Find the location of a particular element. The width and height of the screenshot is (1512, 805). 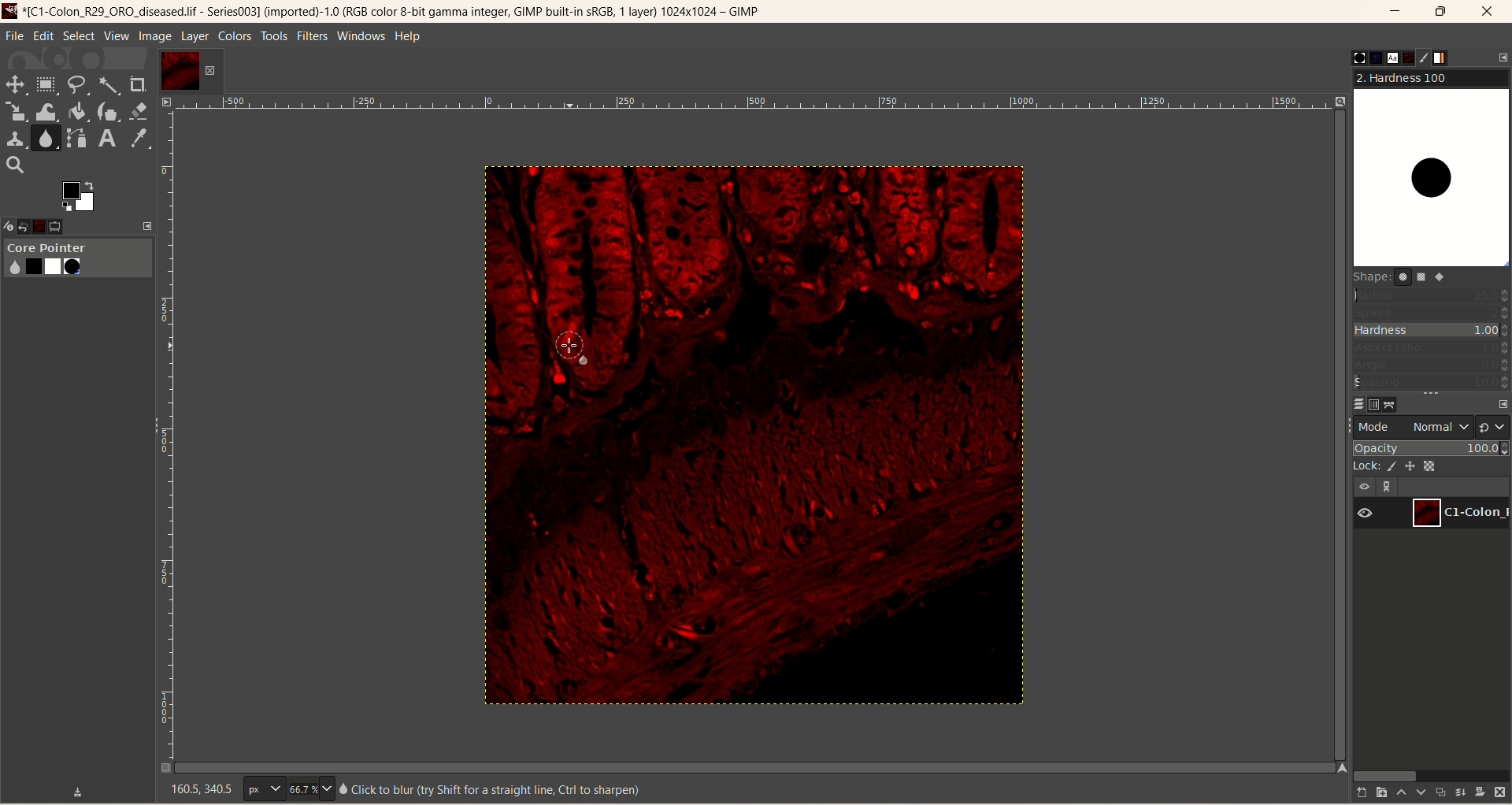

view is located at coordinates (116, 36).